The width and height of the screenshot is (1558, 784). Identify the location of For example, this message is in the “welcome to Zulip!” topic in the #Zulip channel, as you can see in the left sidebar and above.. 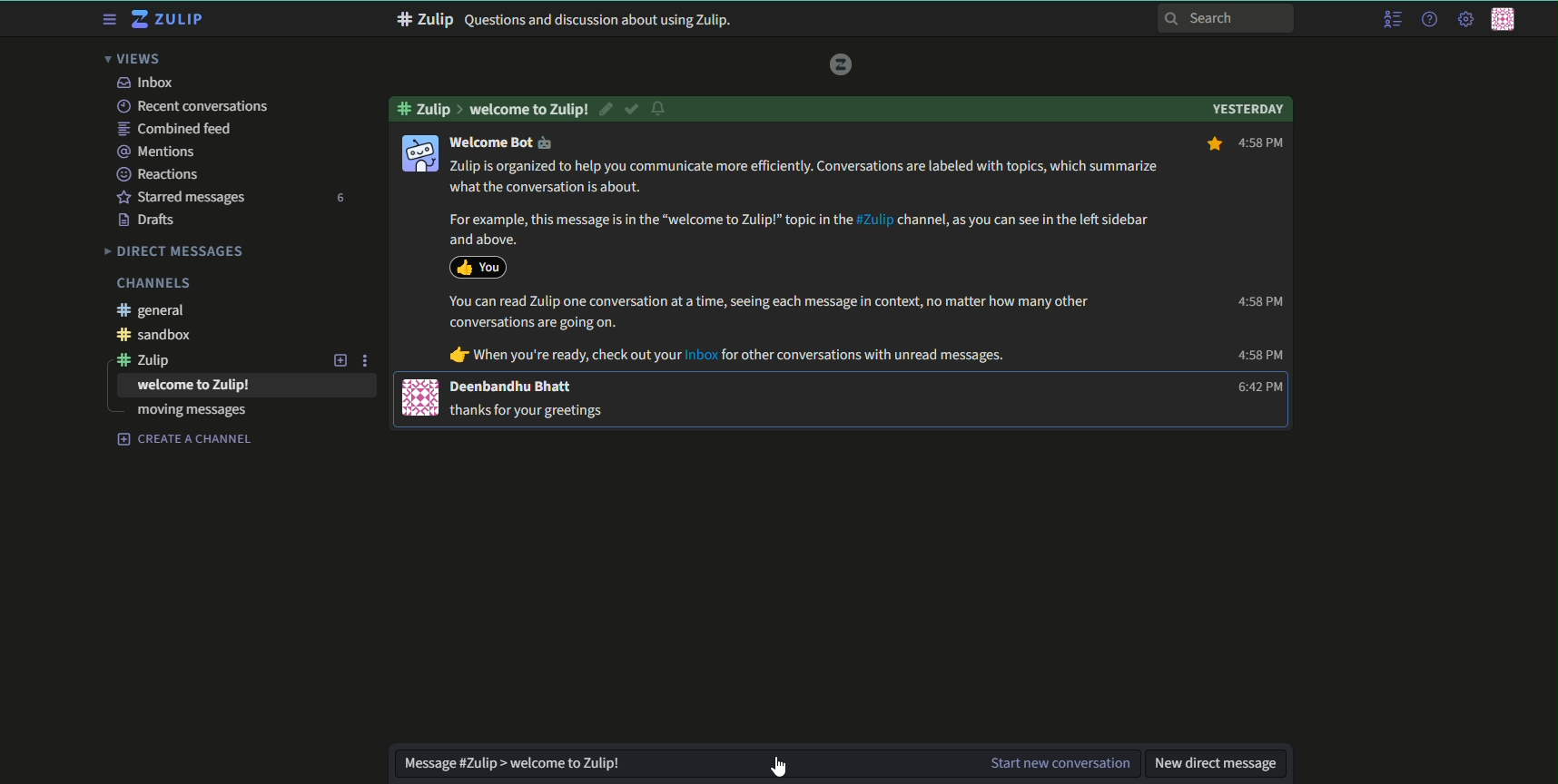
(794, 229).